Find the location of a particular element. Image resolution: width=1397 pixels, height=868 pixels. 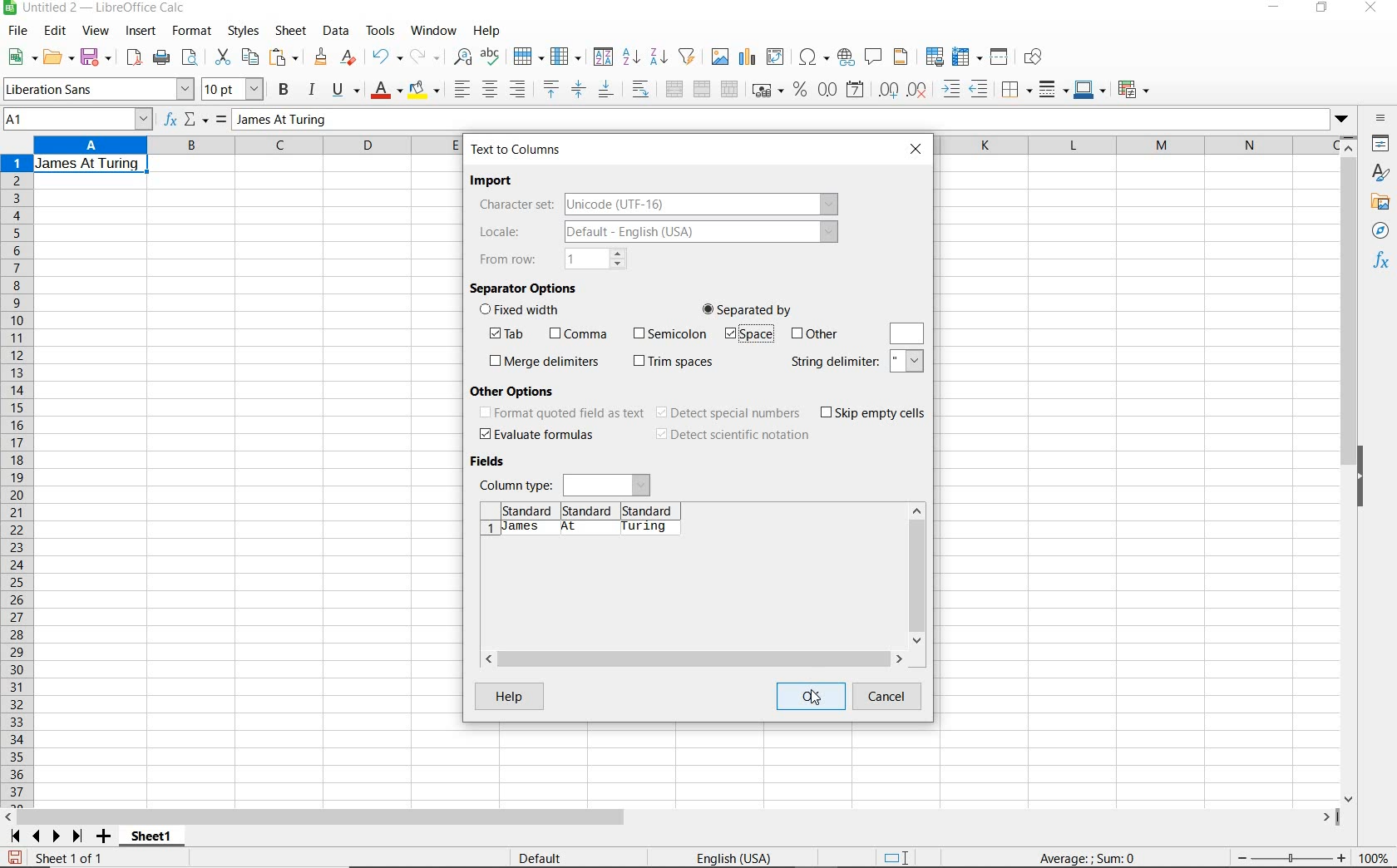

merge and center or unmerge cells is located at coordinates (674, 90).